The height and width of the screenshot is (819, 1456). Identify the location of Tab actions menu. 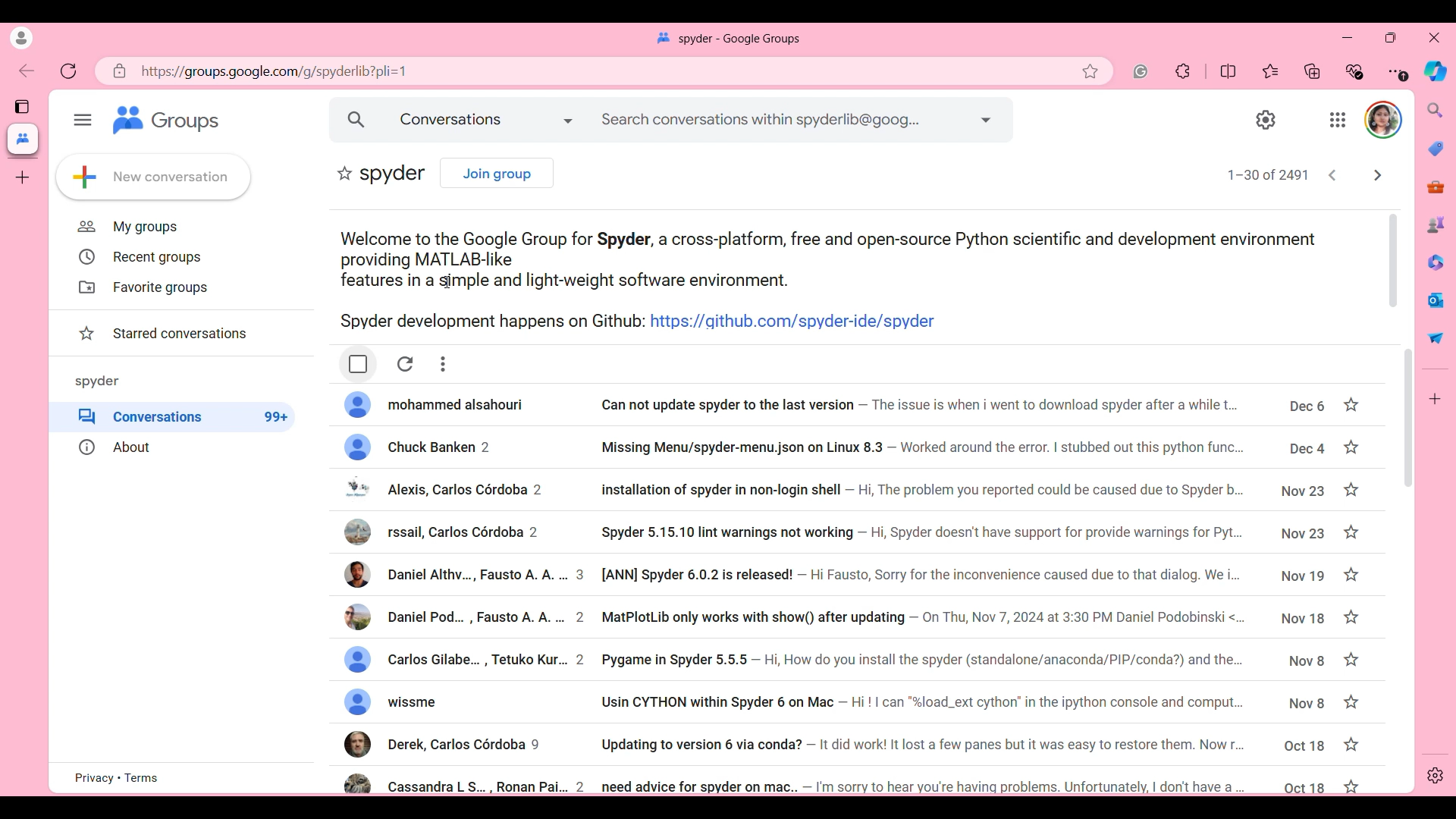
(22, 106).